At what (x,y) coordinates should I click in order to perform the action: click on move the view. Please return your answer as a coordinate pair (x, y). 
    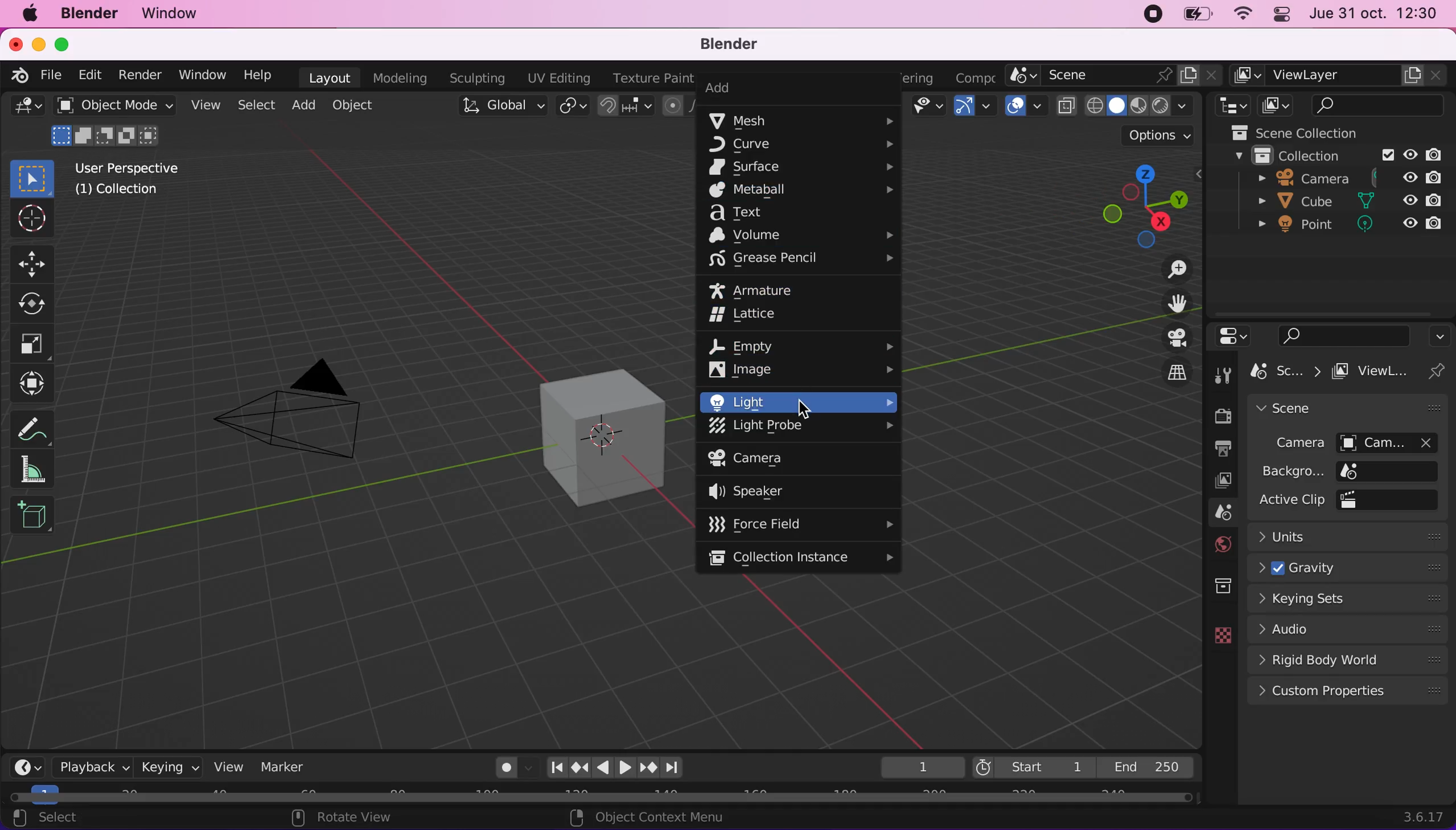
    Looking at the image, I should click on (1170, 304).